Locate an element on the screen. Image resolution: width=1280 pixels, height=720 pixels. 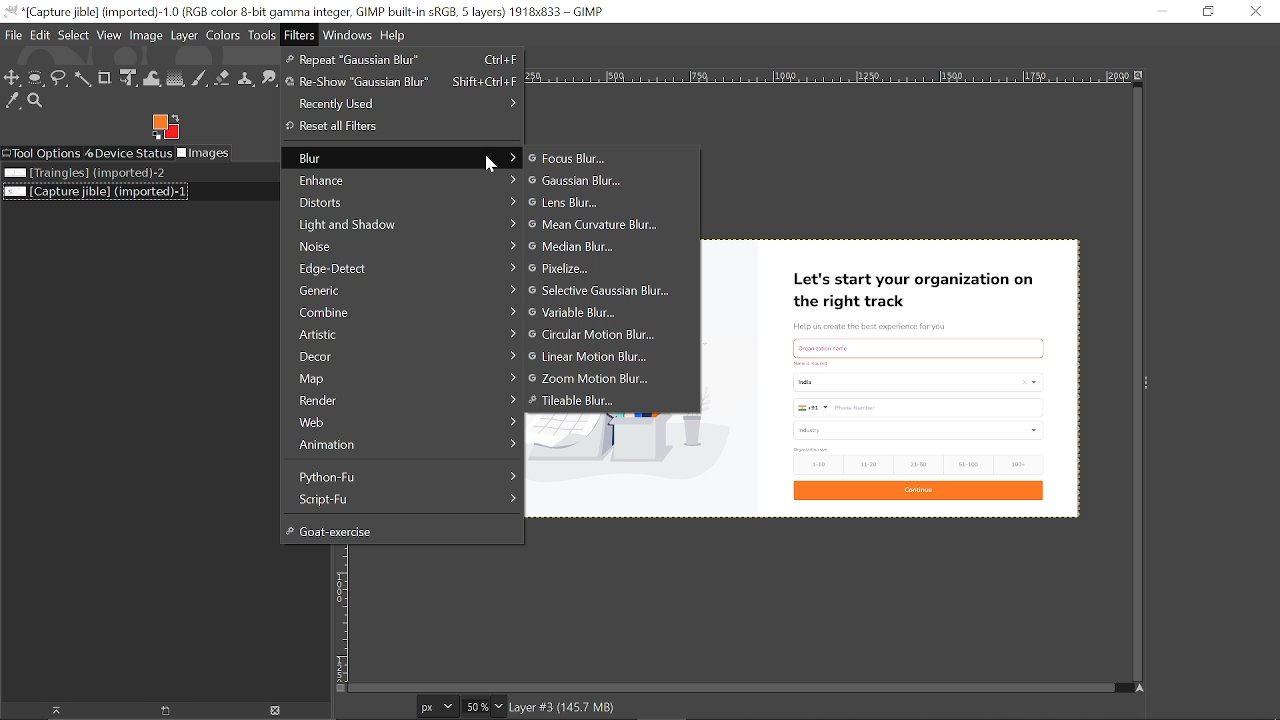
Render is located at coordinates (403, 401).